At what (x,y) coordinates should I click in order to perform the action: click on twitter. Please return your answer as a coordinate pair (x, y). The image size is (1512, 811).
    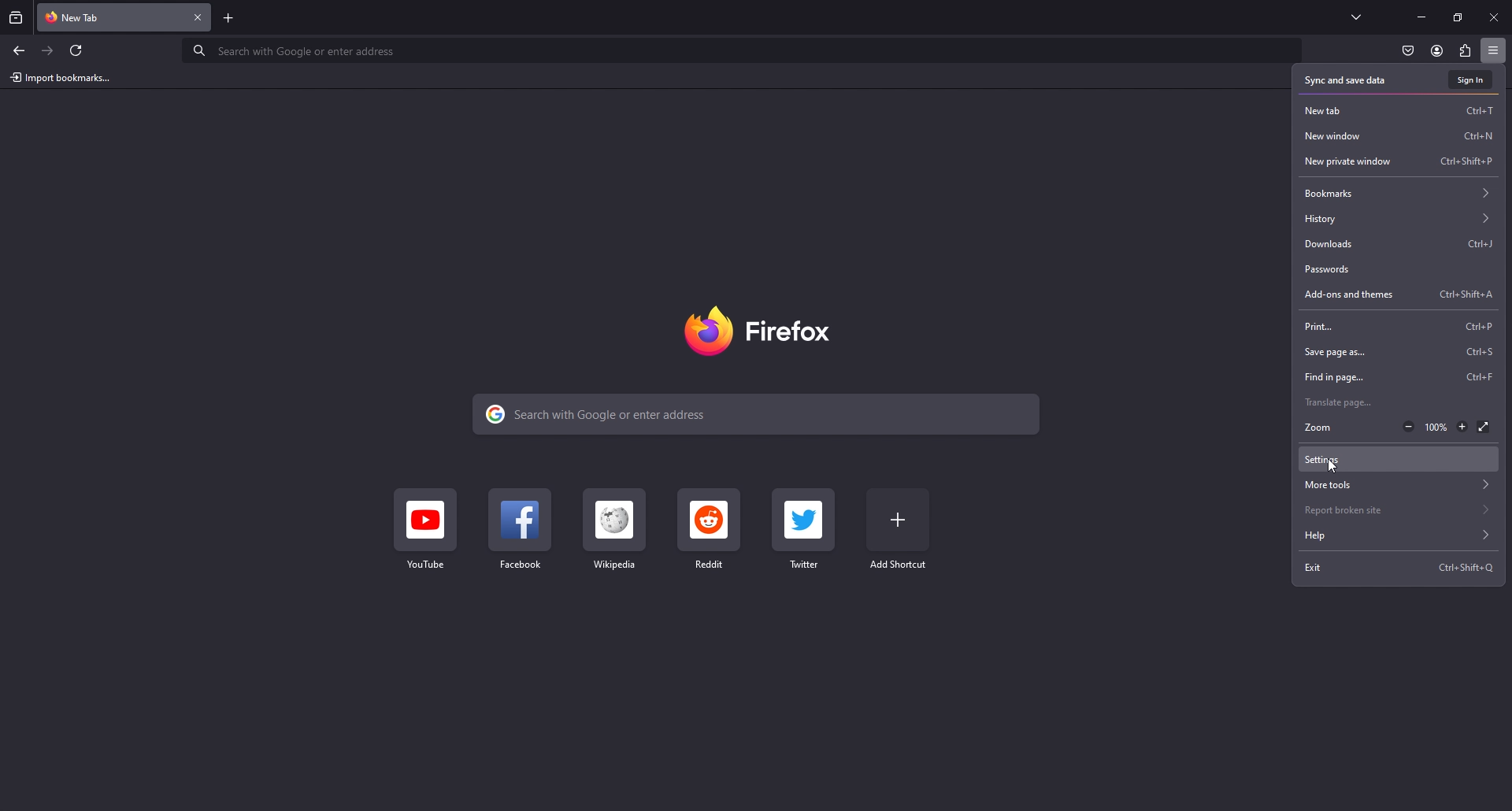
    Looking at the image, I should click on (806, 529).